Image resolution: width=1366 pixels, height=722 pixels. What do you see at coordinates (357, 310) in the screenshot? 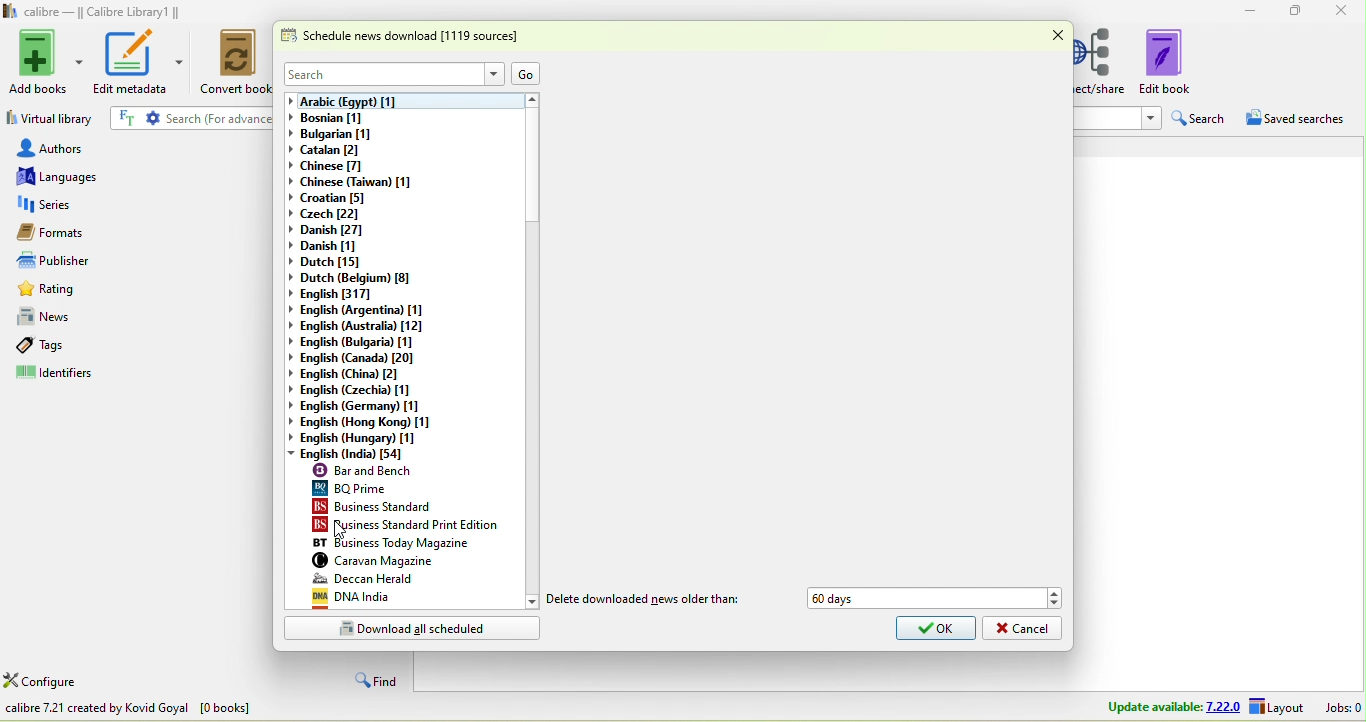
I see `english (argentina)[1]` at bounding box center [357, 310].